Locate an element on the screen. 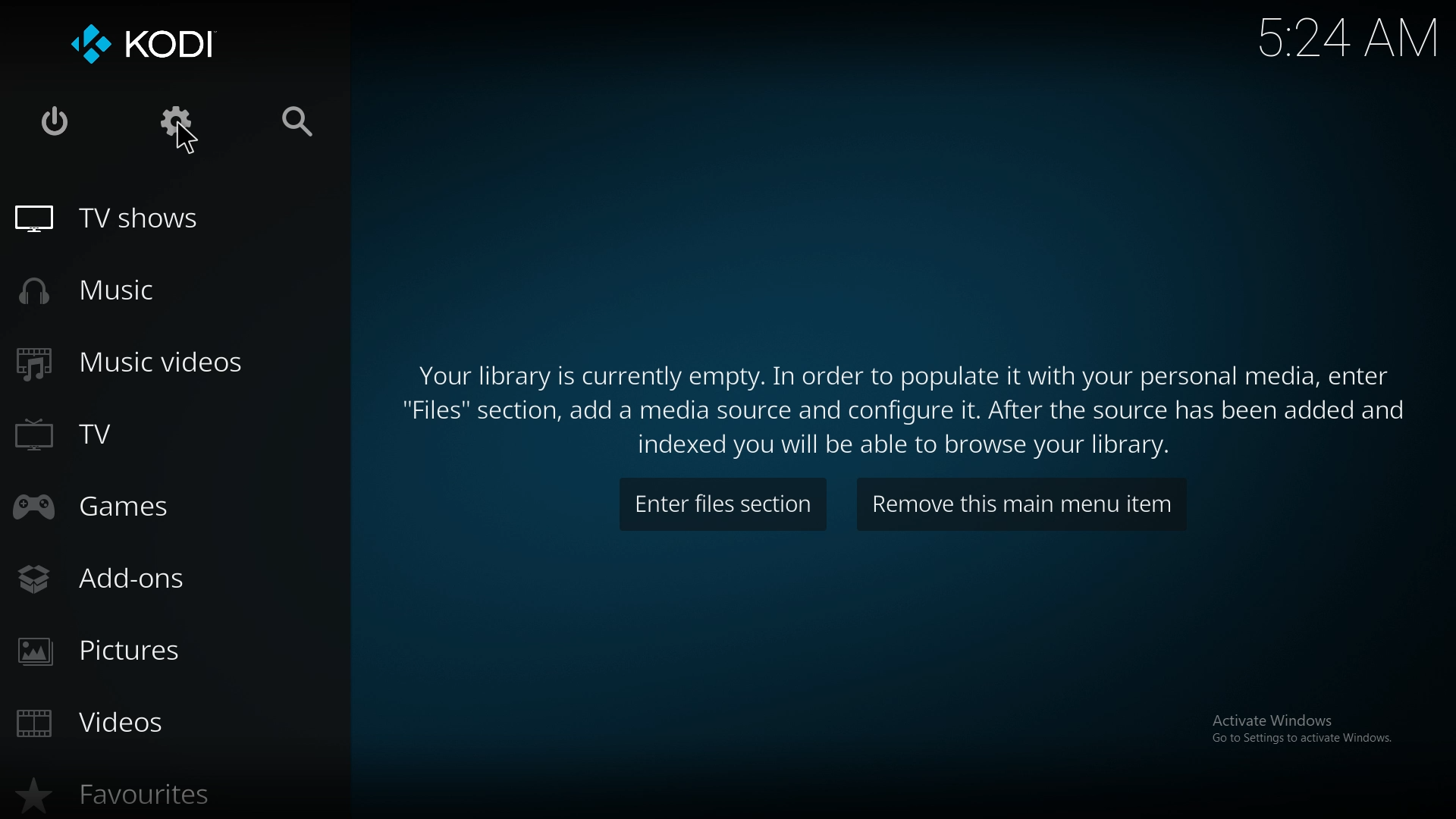 The width and height of the screenshot is (1456, 819). tv is located at coordinates (109, 435).